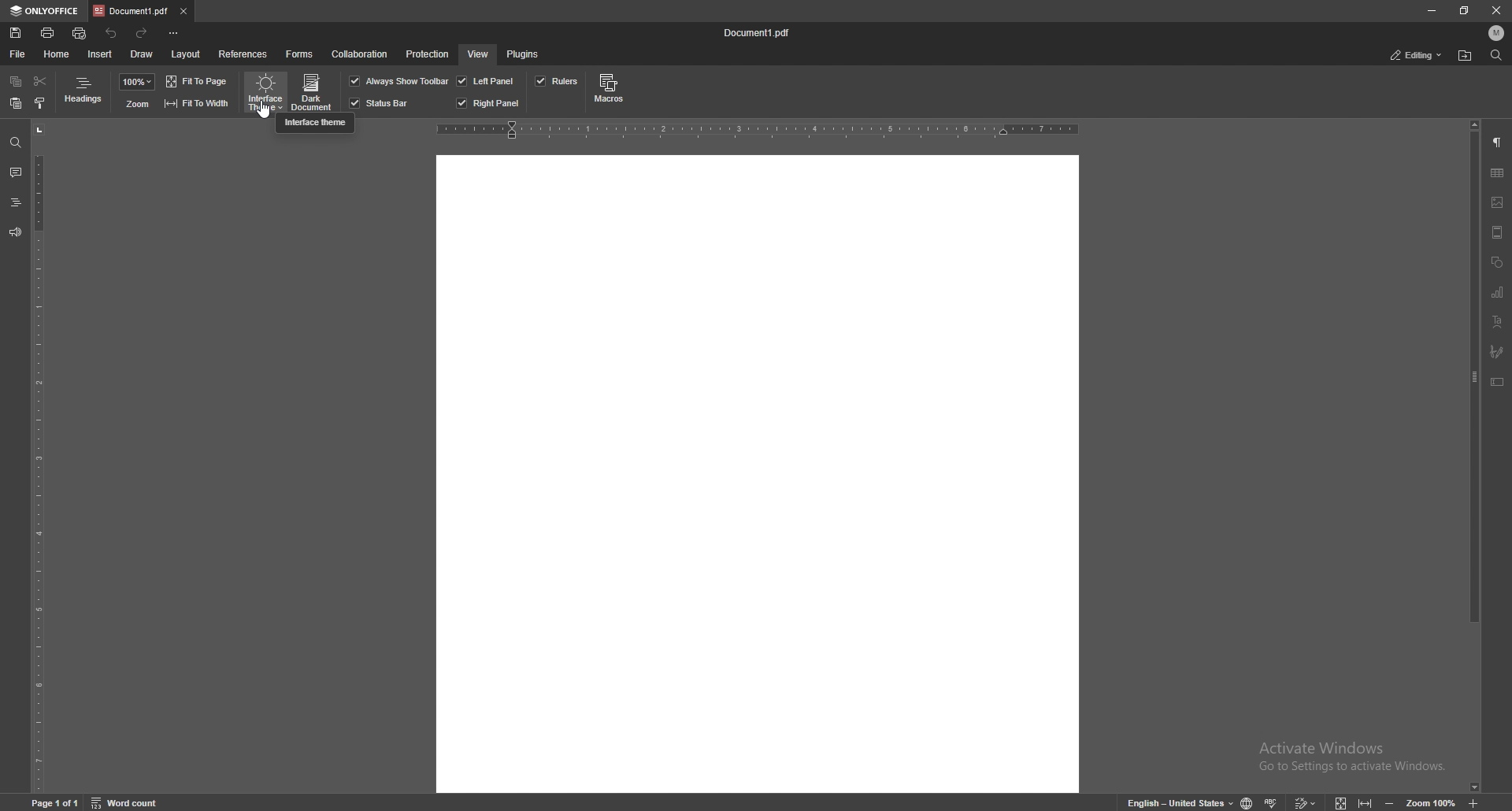  I want to click on image, so click(1499, 202).